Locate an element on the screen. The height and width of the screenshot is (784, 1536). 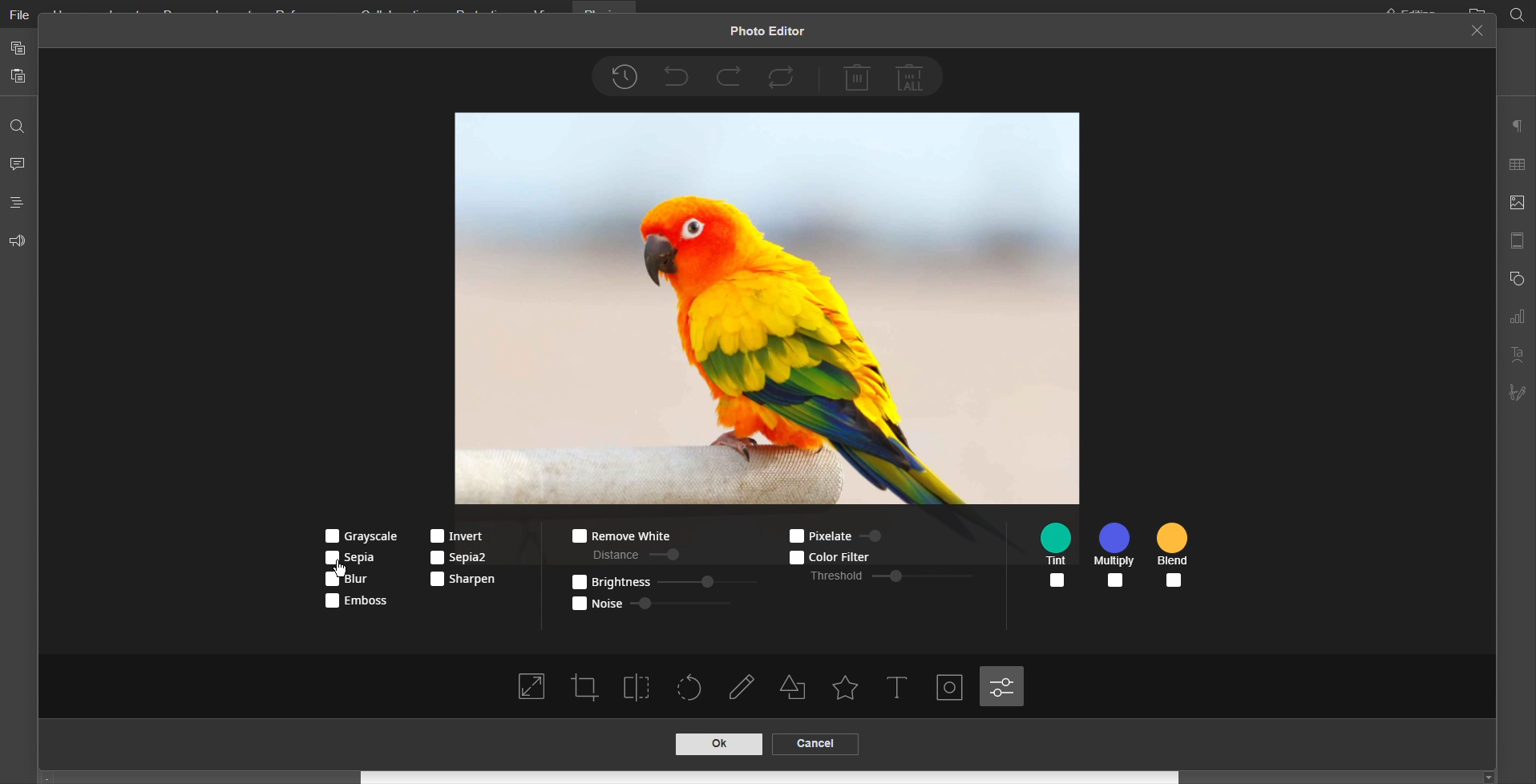
Emboss is located at coordinates (355, 603).